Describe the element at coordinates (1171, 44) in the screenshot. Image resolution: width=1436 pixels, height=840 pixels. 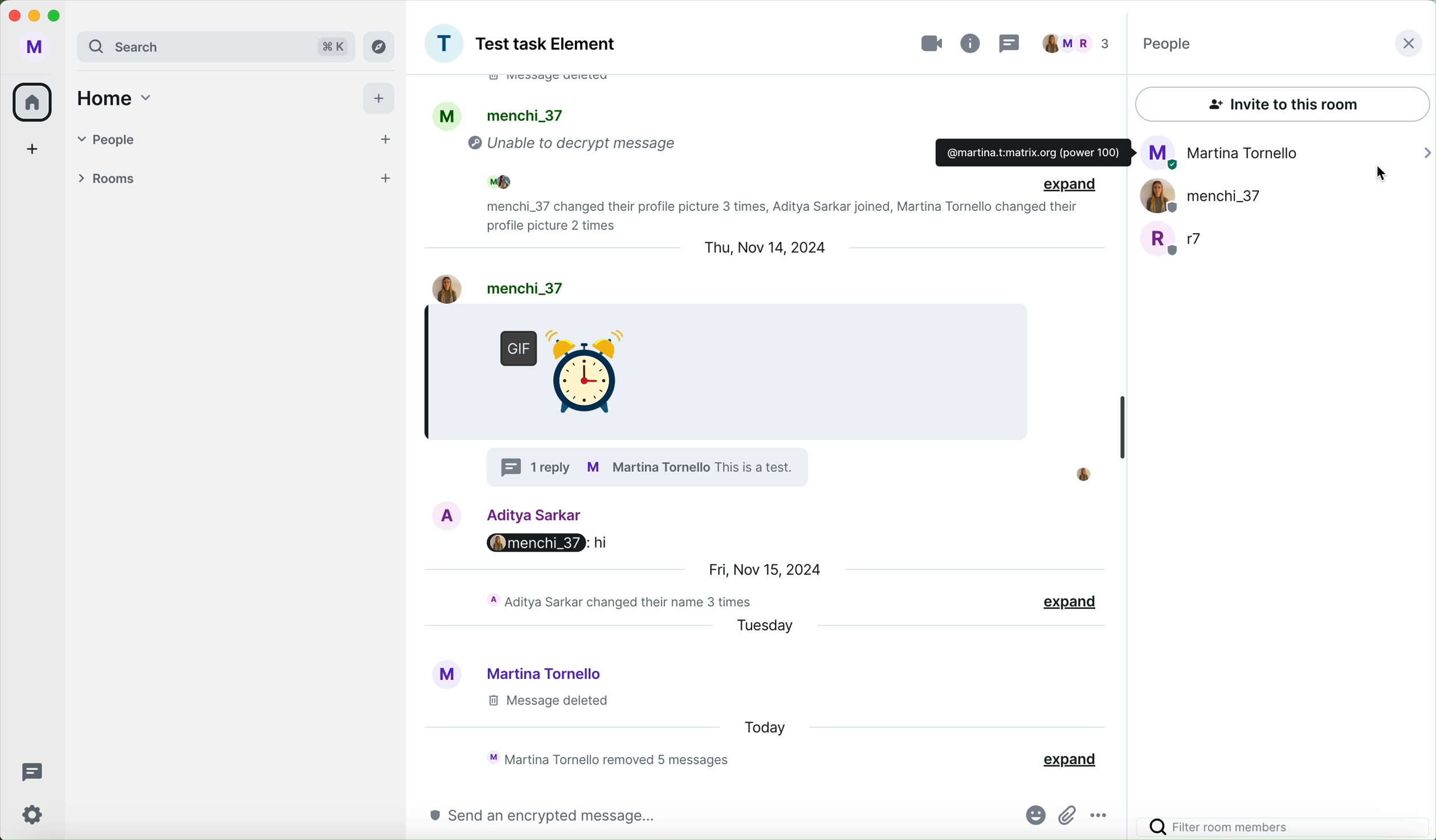
I see `people` at that location.